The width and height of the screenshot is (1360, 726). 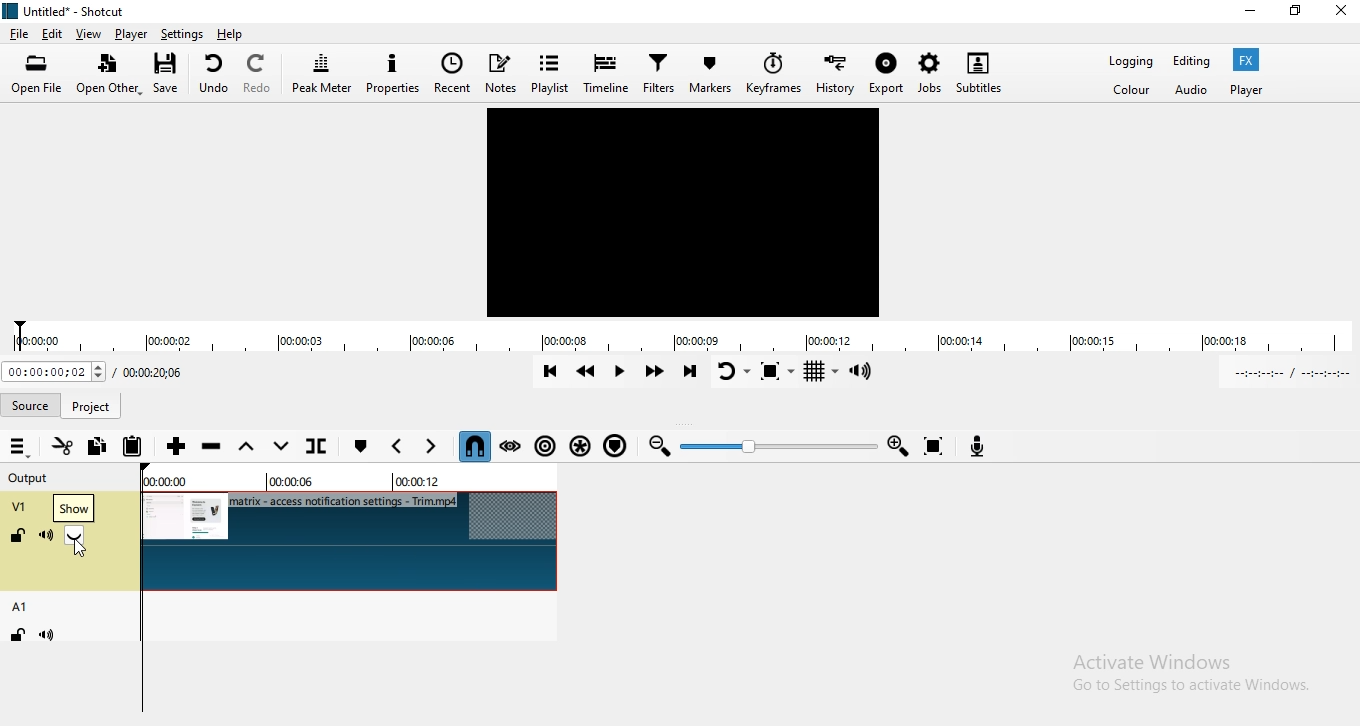 I want to click on Paste , so click(x=135, y=447).